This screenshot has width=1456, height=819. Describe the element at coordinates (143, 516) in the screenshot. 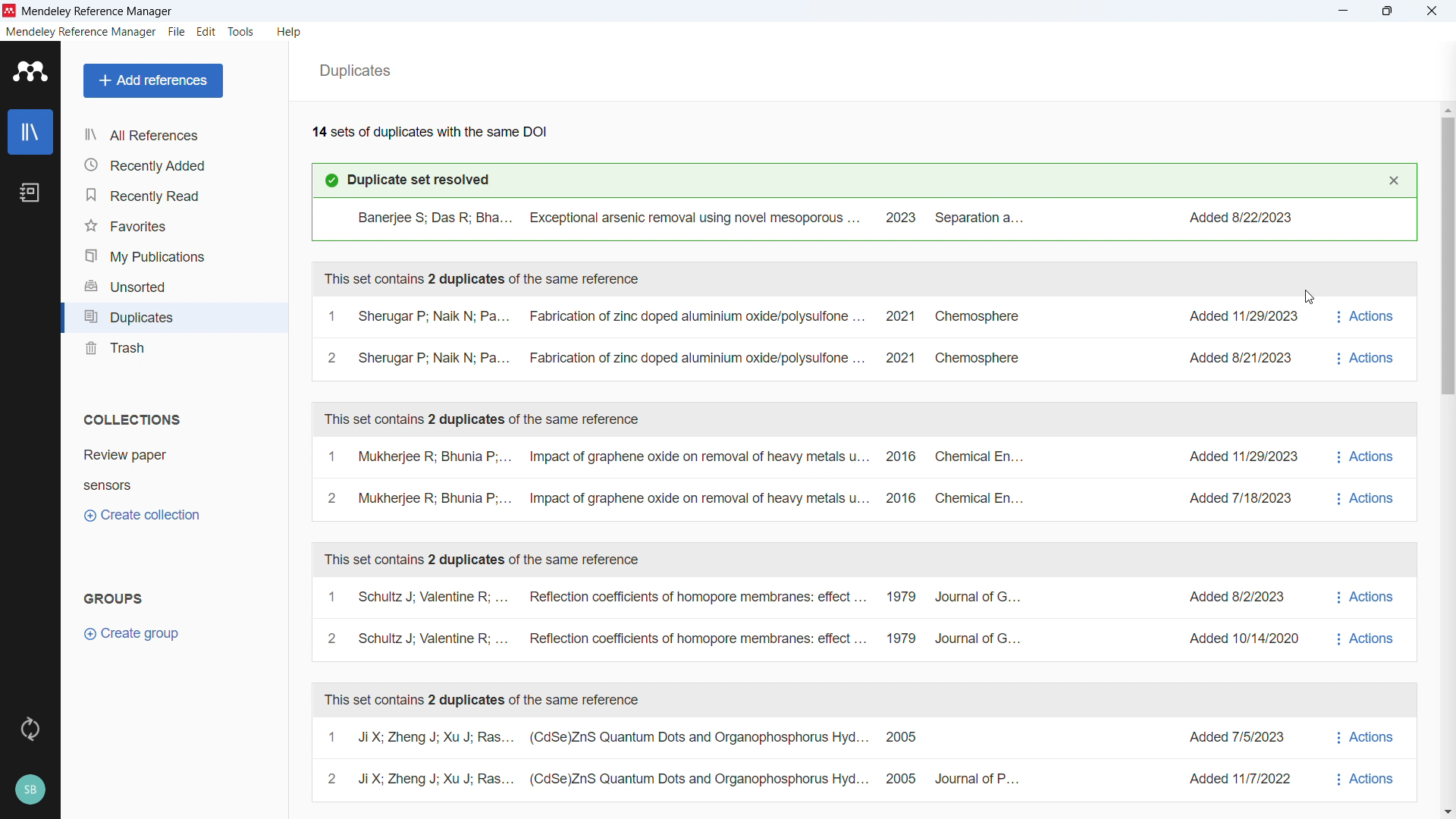

I see `Create collection ` at that location.